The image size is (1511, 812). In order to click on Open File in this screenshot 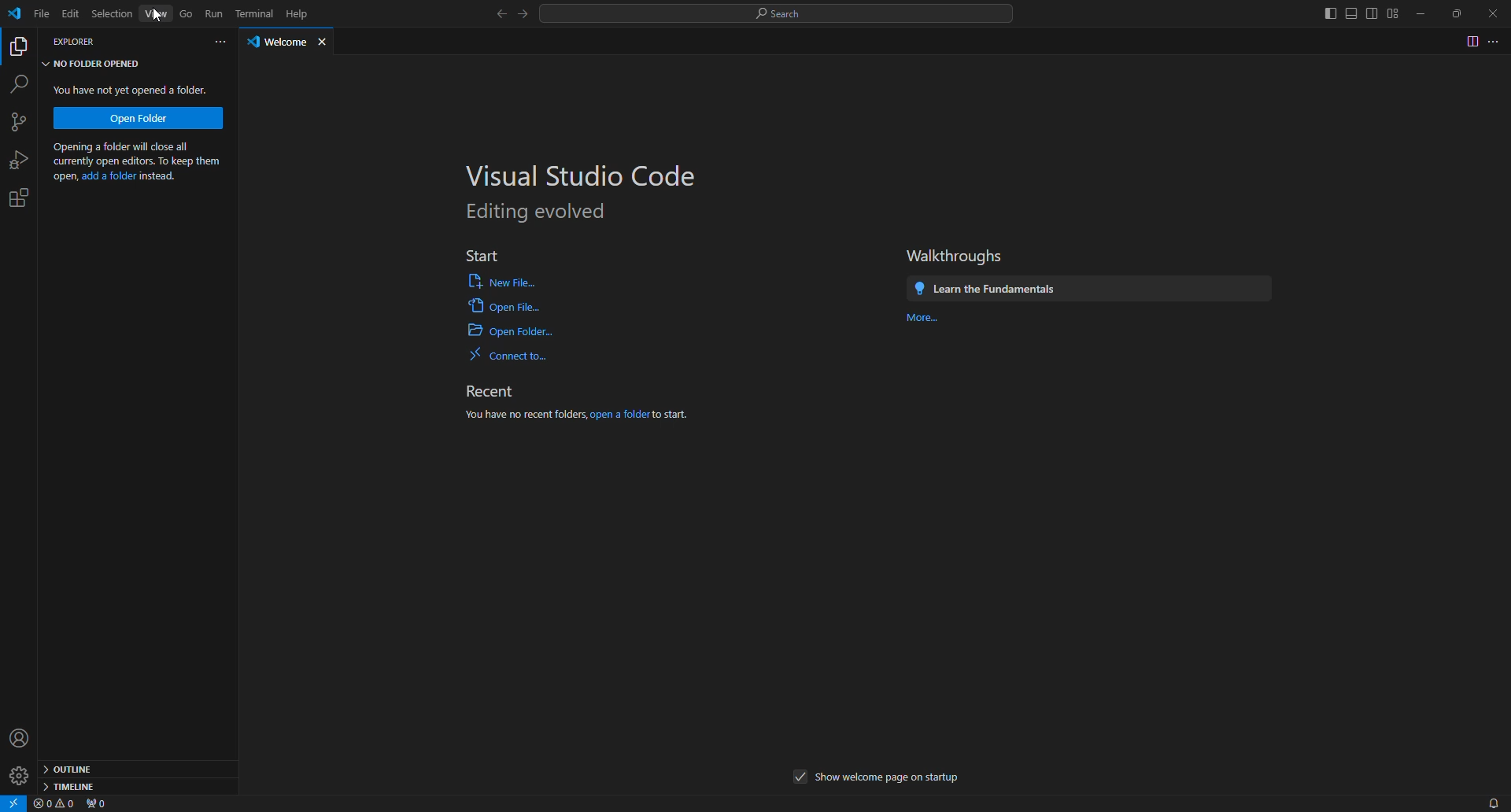, I will do `click(504, 306)`.